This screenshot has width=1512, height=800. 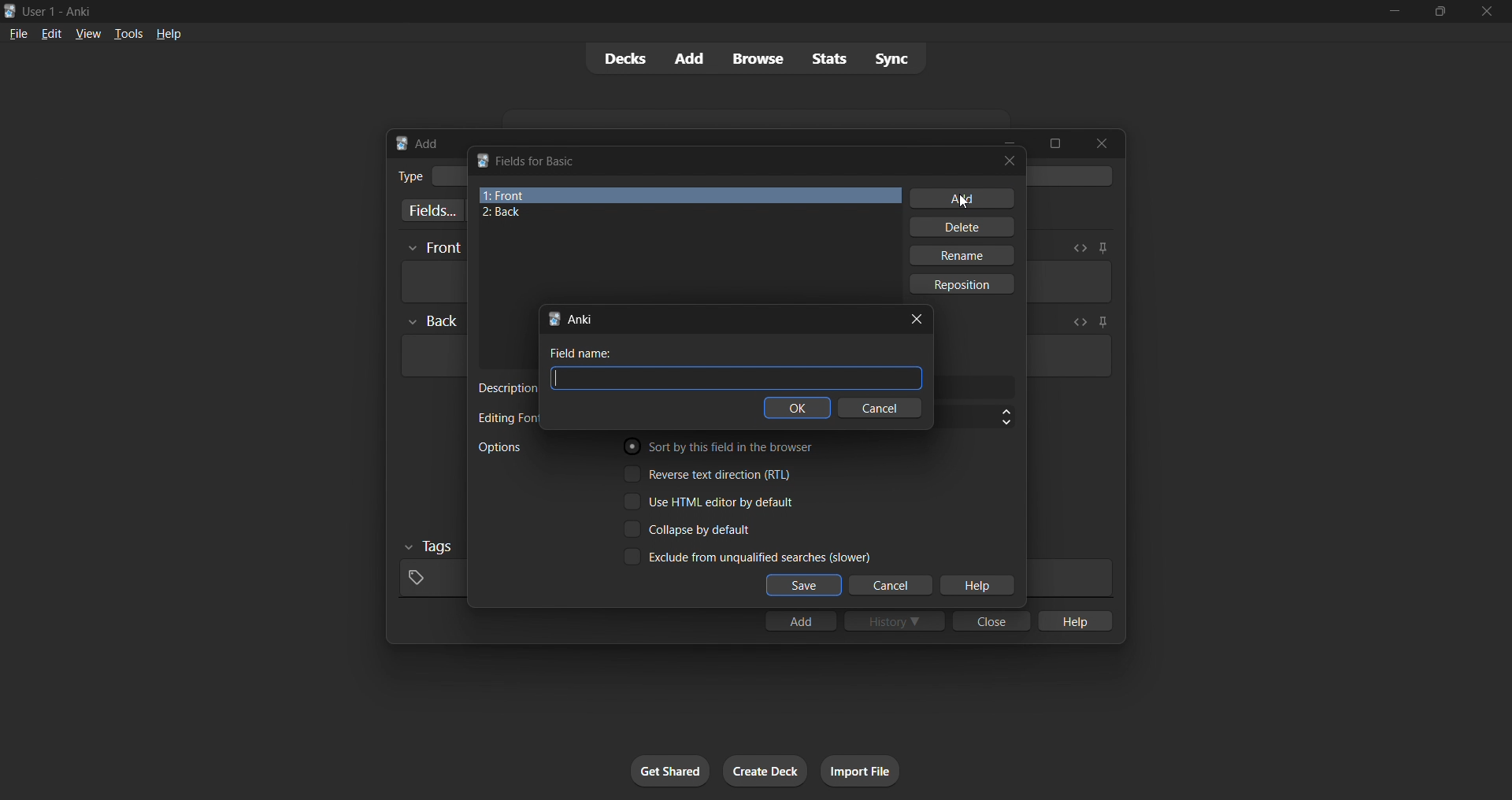 I want to click on Anki logo, so click(x=554, y=319).